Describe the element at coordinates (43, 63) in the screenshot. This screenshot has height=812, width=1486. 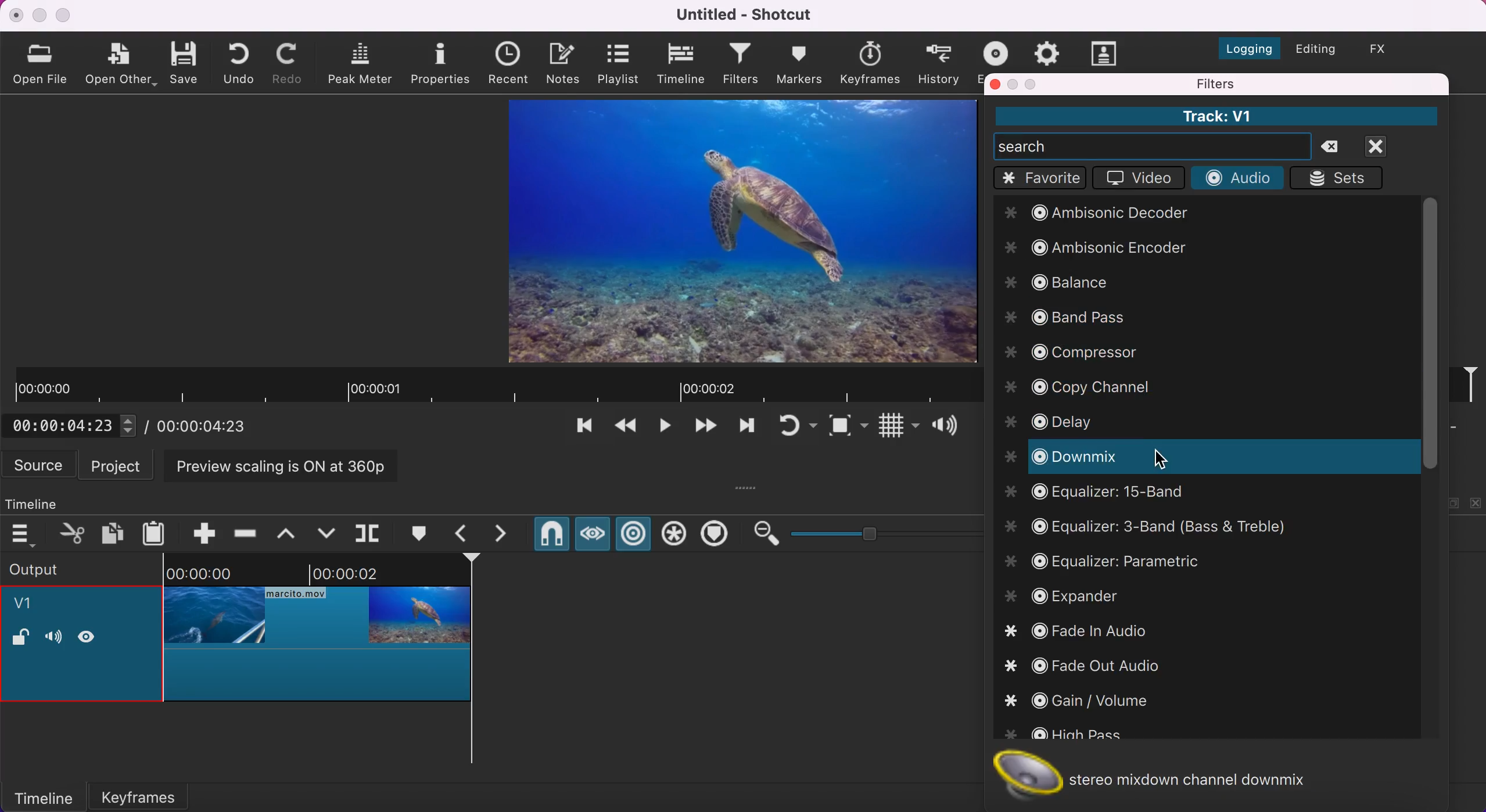
I see `open file` at that location.